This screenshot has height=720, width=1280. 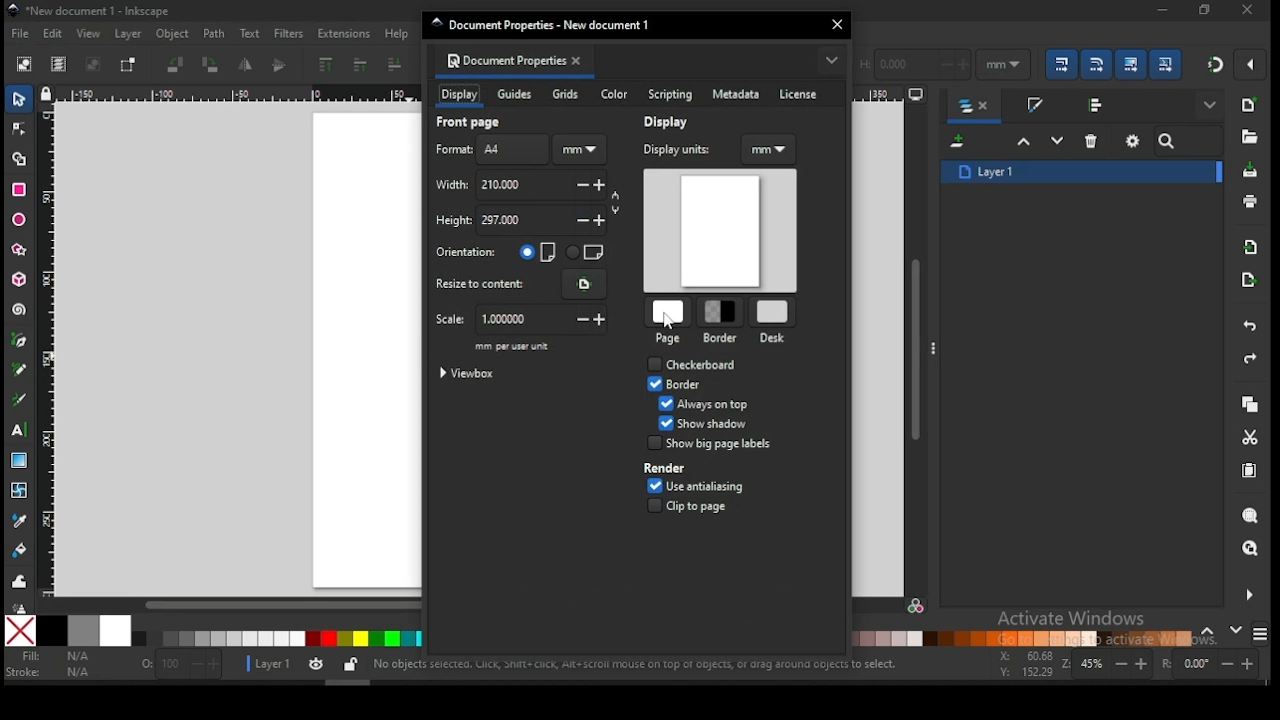 I want to click on scripting, so click(x=669, y=95).